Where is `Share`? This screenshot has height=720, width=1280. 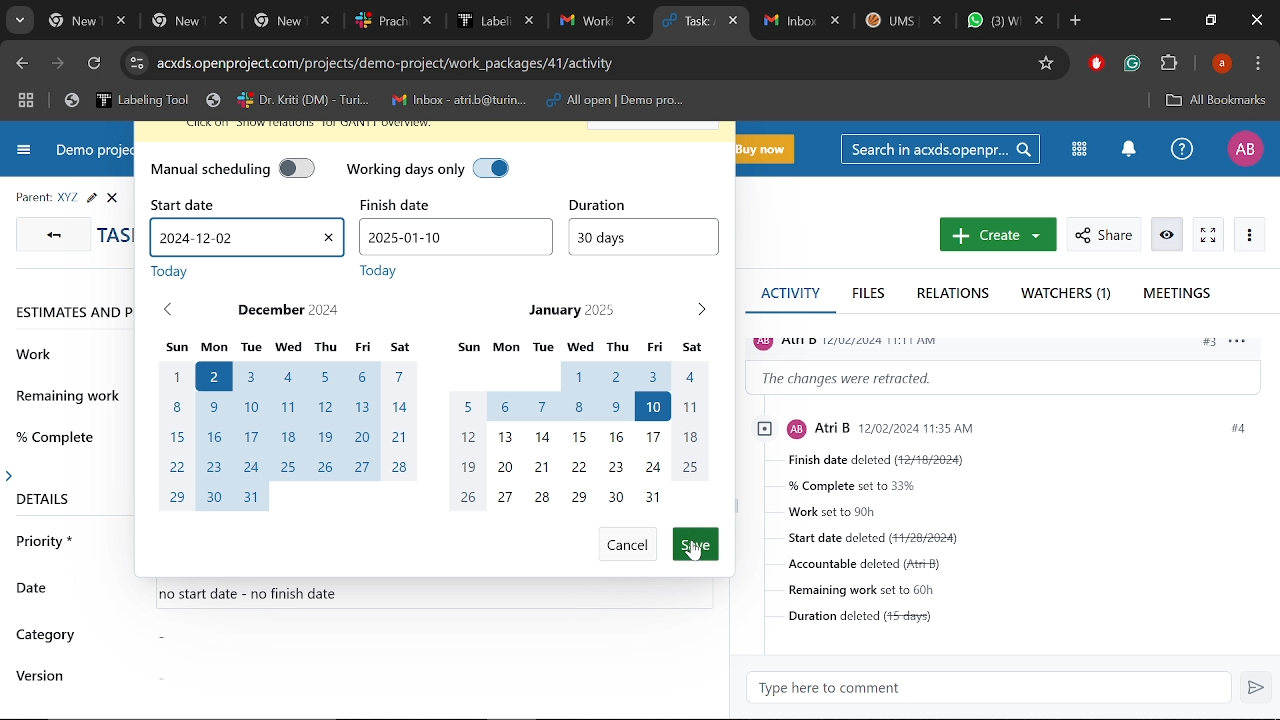 Share is located at coordinates (1103, 235).